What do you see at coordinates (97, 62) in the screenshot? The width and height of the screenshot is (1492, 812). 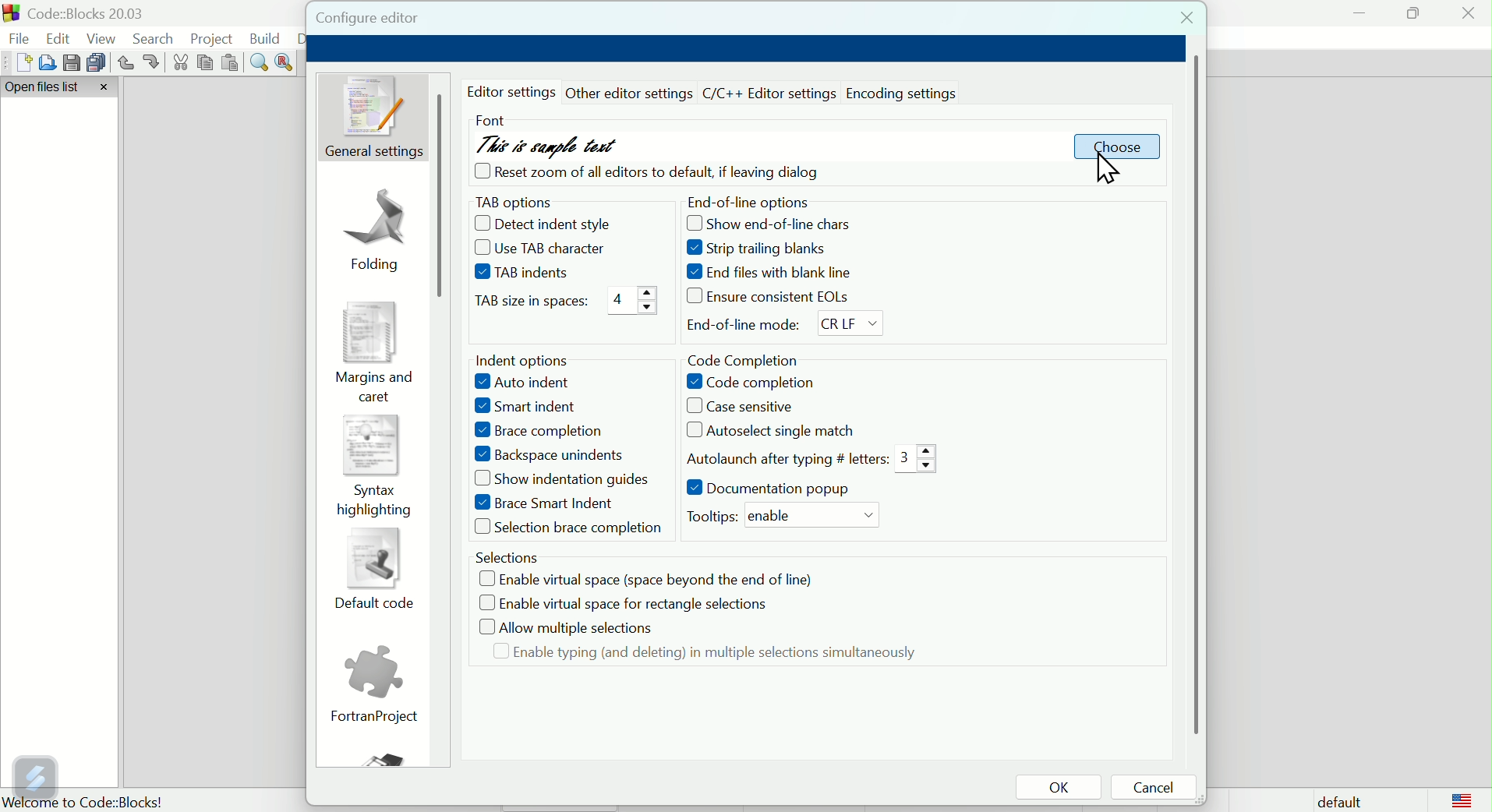 I see `Save multiple` at bounding box center [97, 62].